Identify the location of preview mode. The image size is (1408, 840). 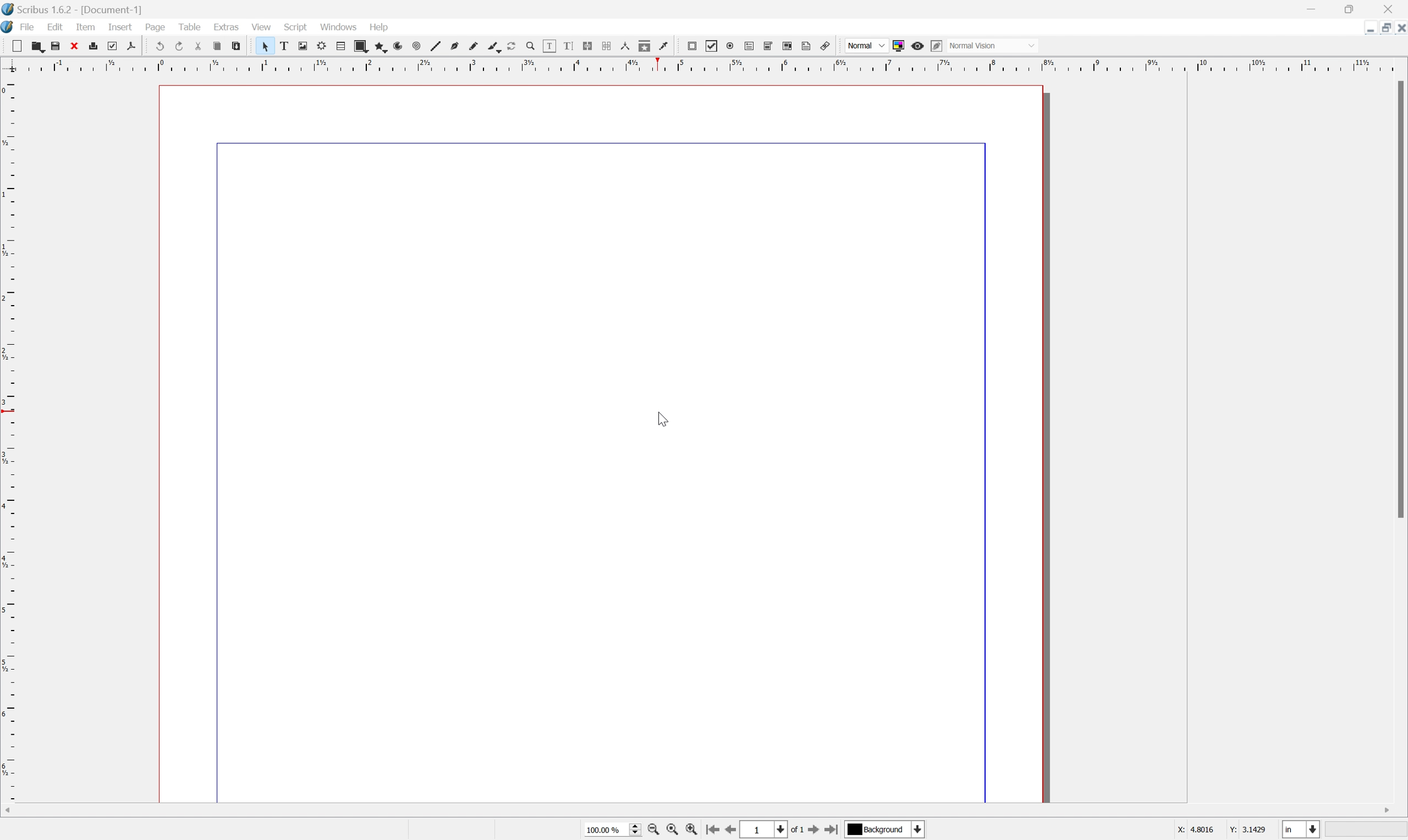
(918, 46).